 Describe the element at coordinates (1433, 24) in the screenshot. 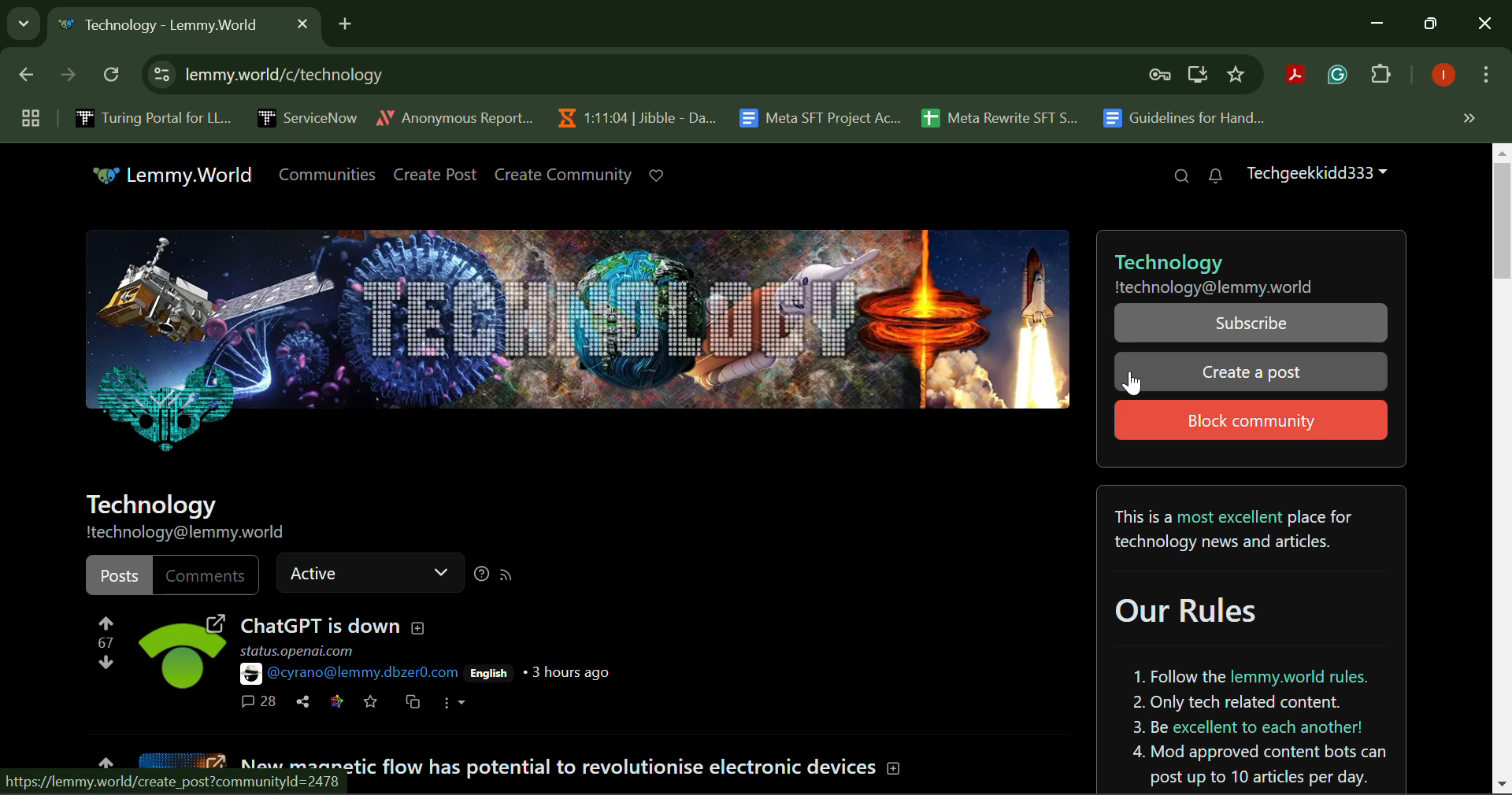

I see `Minimize` at that location.